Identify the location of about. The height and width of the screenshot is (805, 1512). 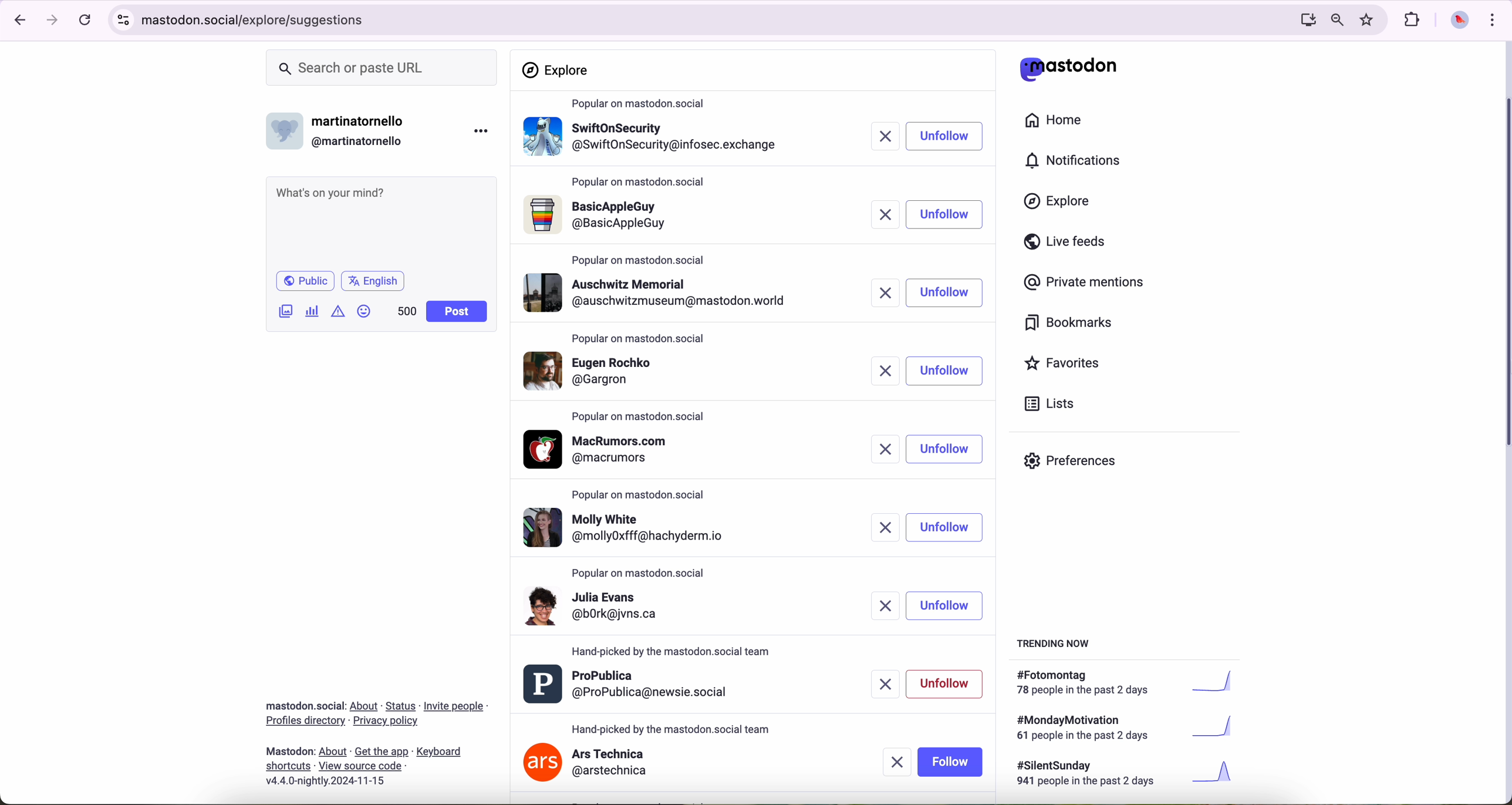
(376, 739).